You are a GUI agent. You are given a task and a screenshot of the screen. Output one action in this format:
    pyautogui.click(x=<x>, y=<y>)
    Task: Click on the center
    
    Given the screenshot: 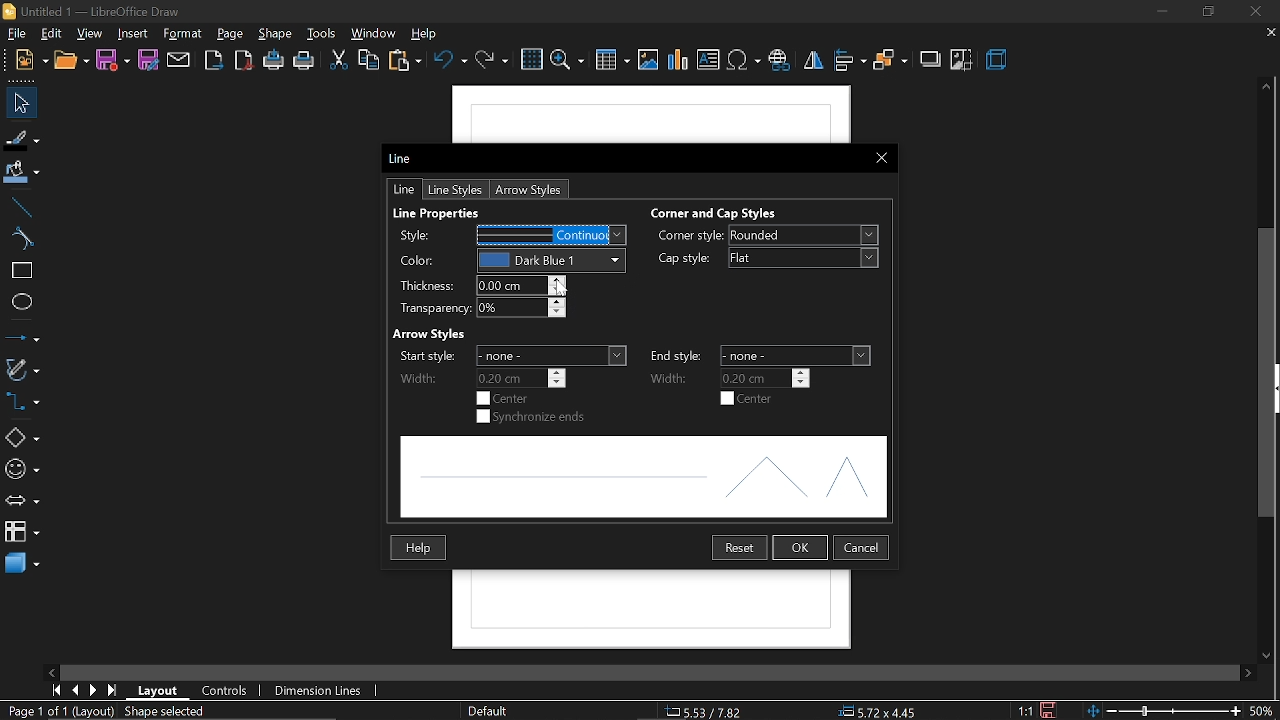 What is the action you would take?
    pyautogui.click(x=749, y=399)
    